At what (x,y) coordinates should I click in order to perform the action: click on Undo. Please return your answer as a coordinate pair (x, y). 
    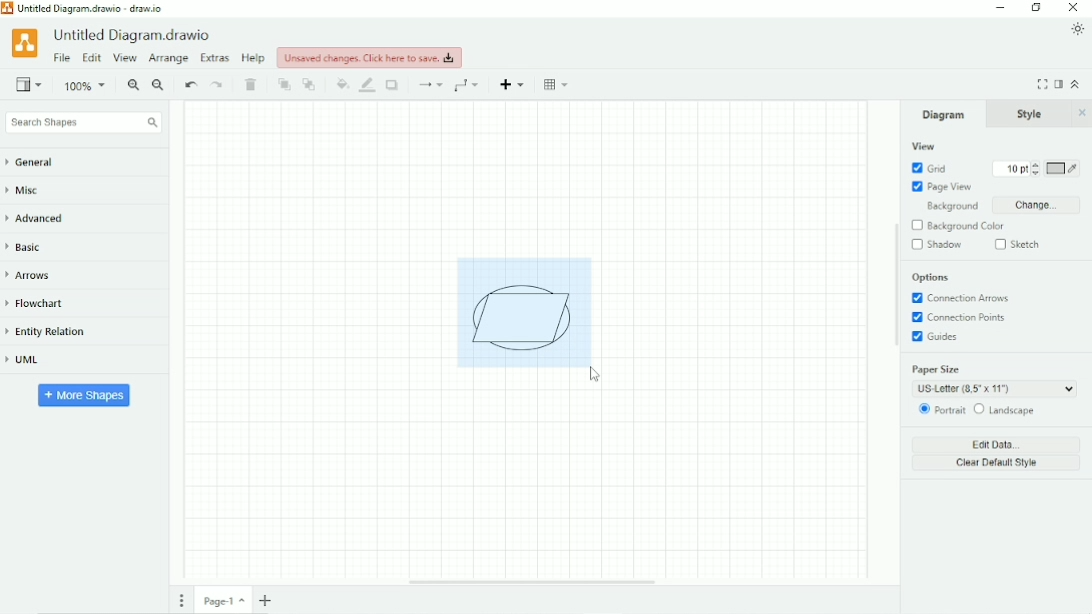
    Looking at the image, I should click on (190, 86).